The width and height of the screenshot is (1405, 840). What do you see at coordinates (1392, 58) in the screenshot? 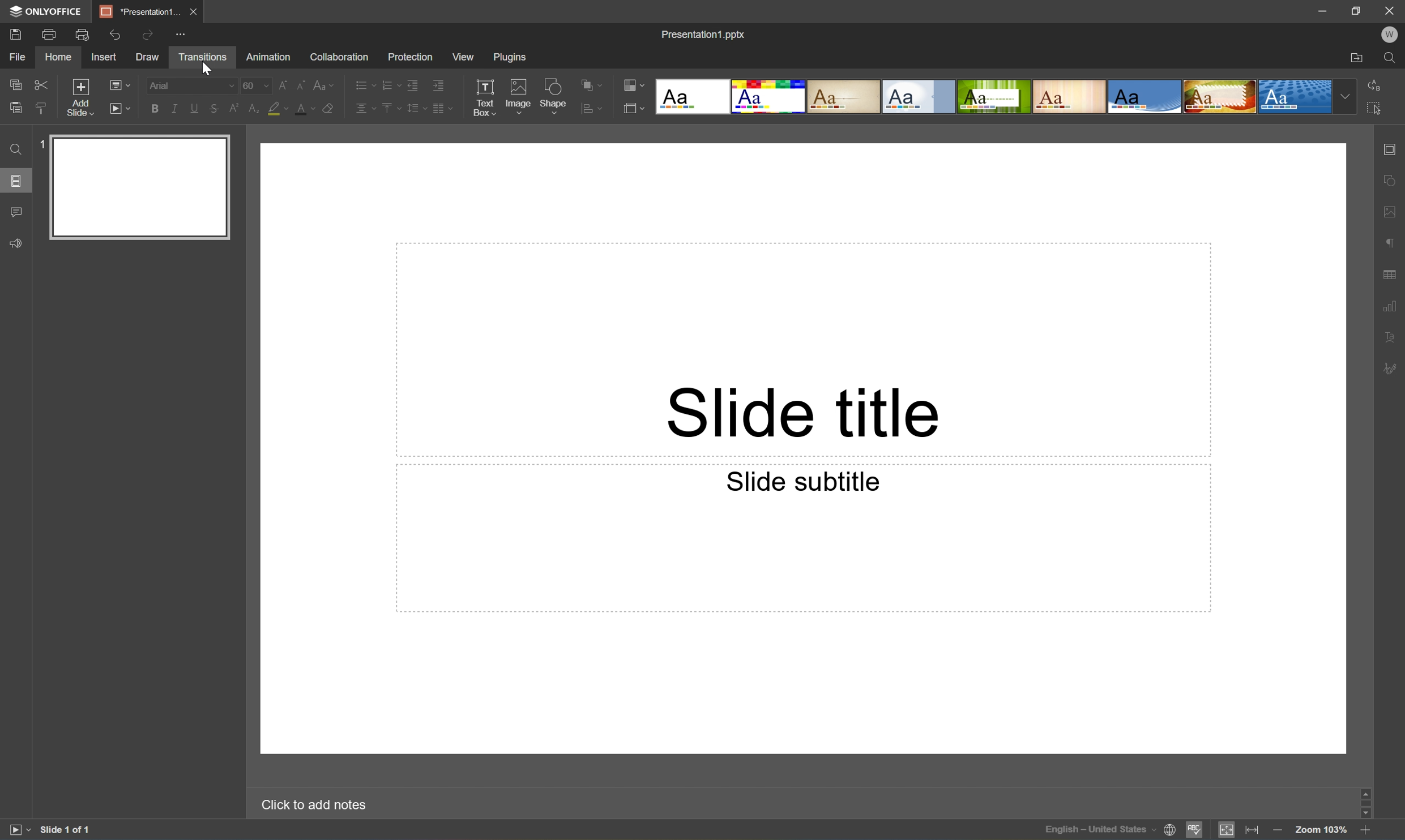
I see `Find` at bounding box center [1392, 58].